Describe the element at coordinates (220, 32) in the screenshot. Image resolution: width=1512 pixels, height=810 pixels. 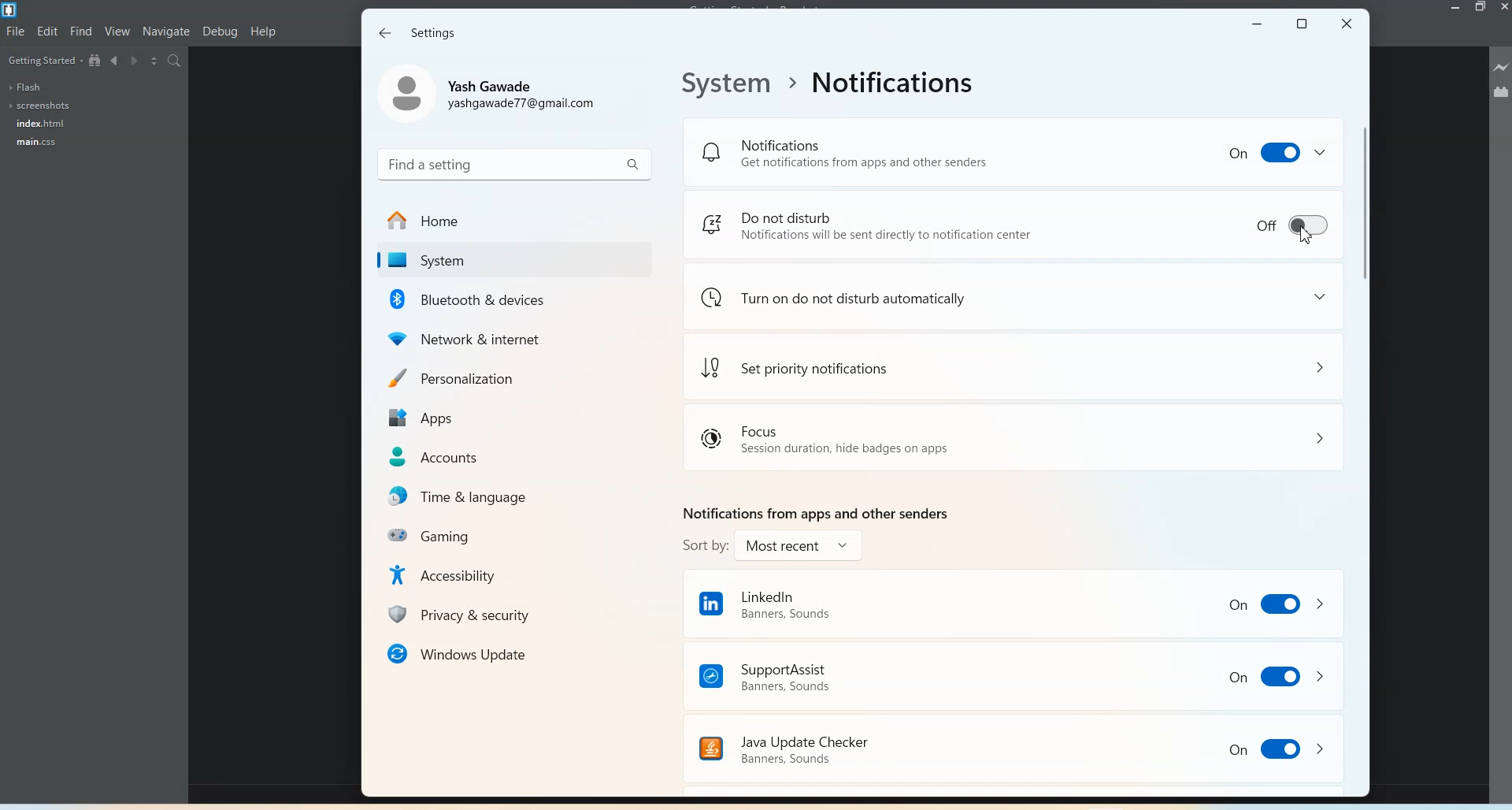
I see `Debug` at that location.